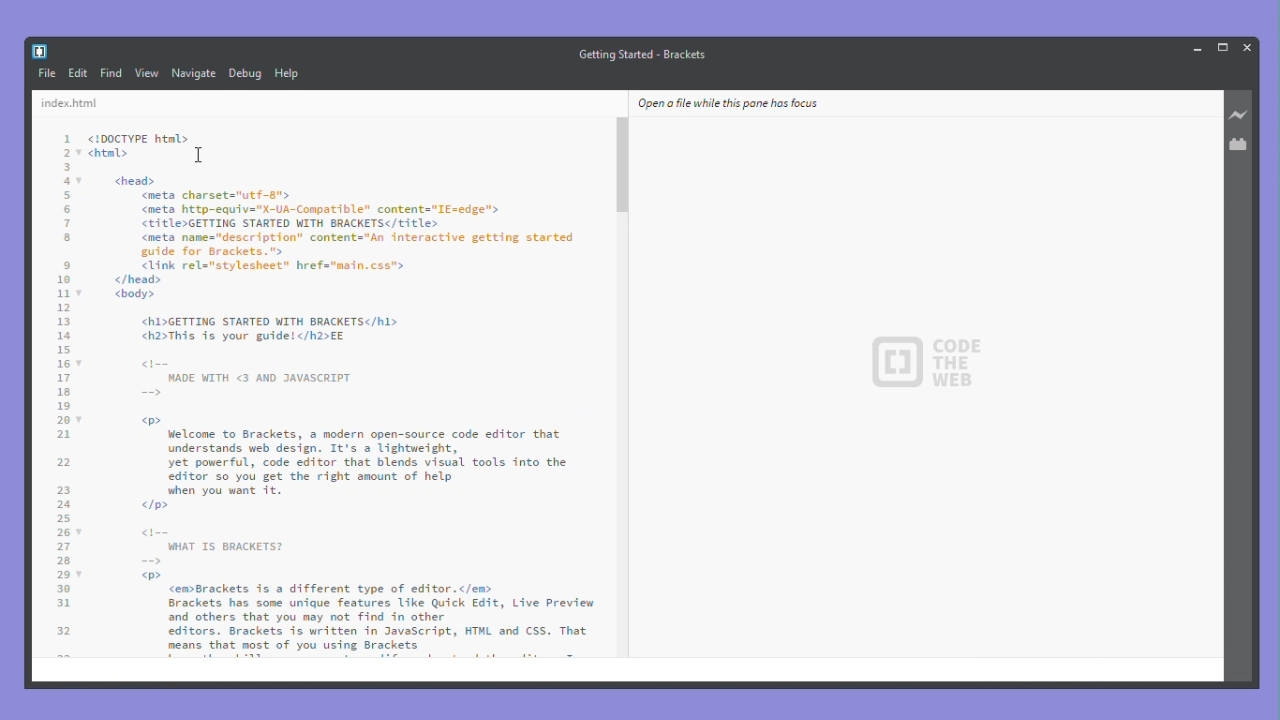 This screenshot has width=1280, height=720. I want to click on 4, so click(67, 183).